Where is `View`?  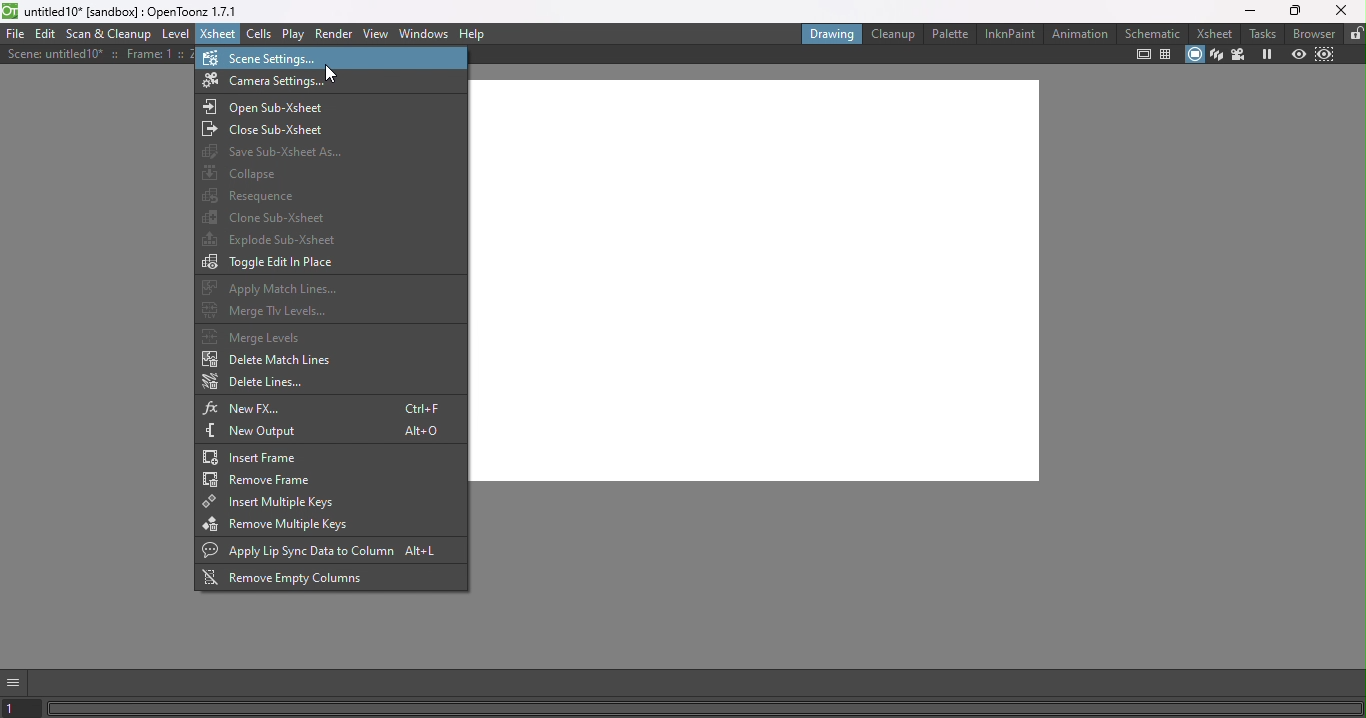
View is located at coordinates (376, 33).